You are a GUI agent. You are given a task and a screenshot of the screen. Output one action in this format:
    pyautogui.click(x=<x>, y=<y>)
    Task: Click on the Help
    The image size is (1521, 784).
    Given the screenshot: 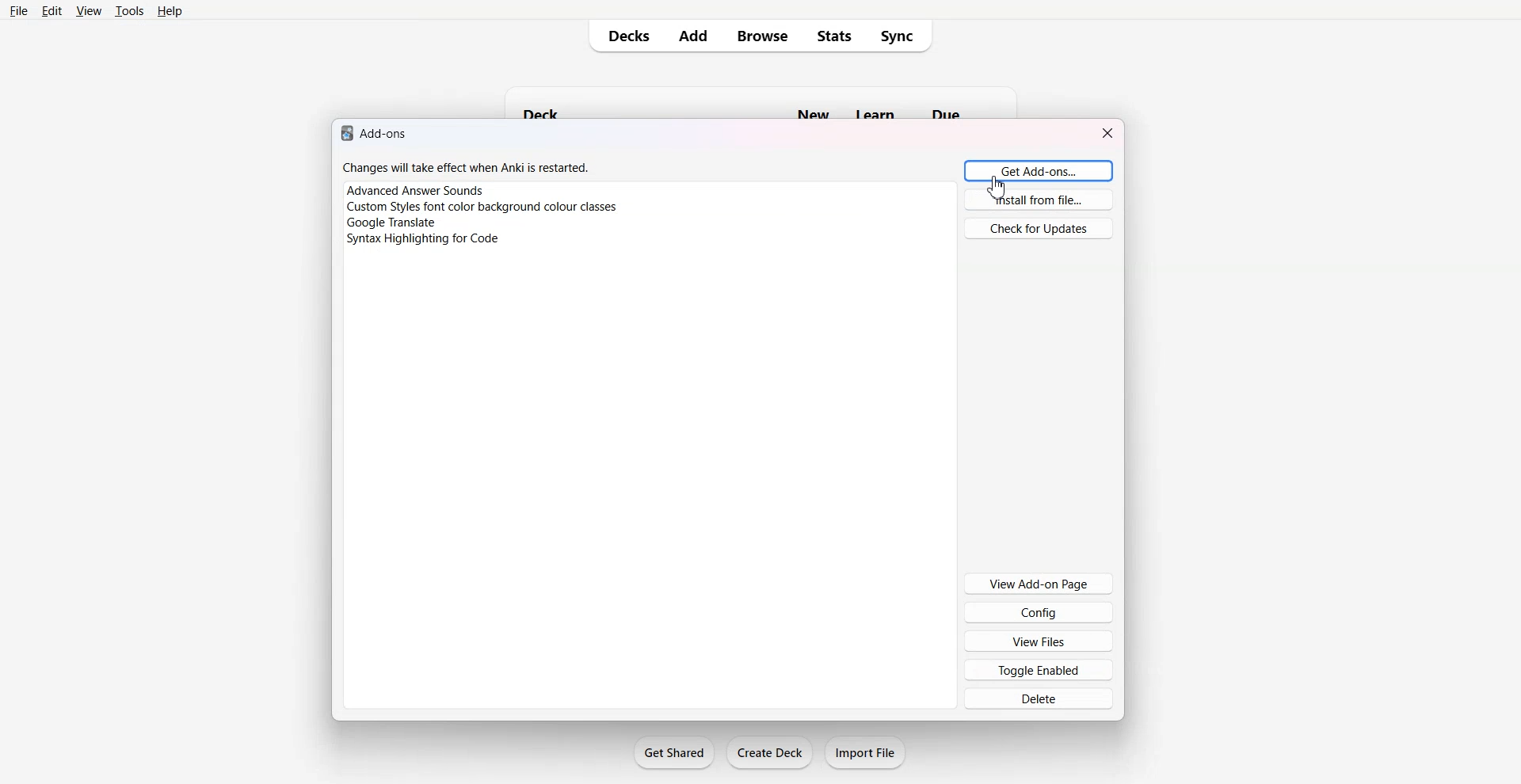 What is the action you would take?
    pyautogui.click(x=170, y=11)
    